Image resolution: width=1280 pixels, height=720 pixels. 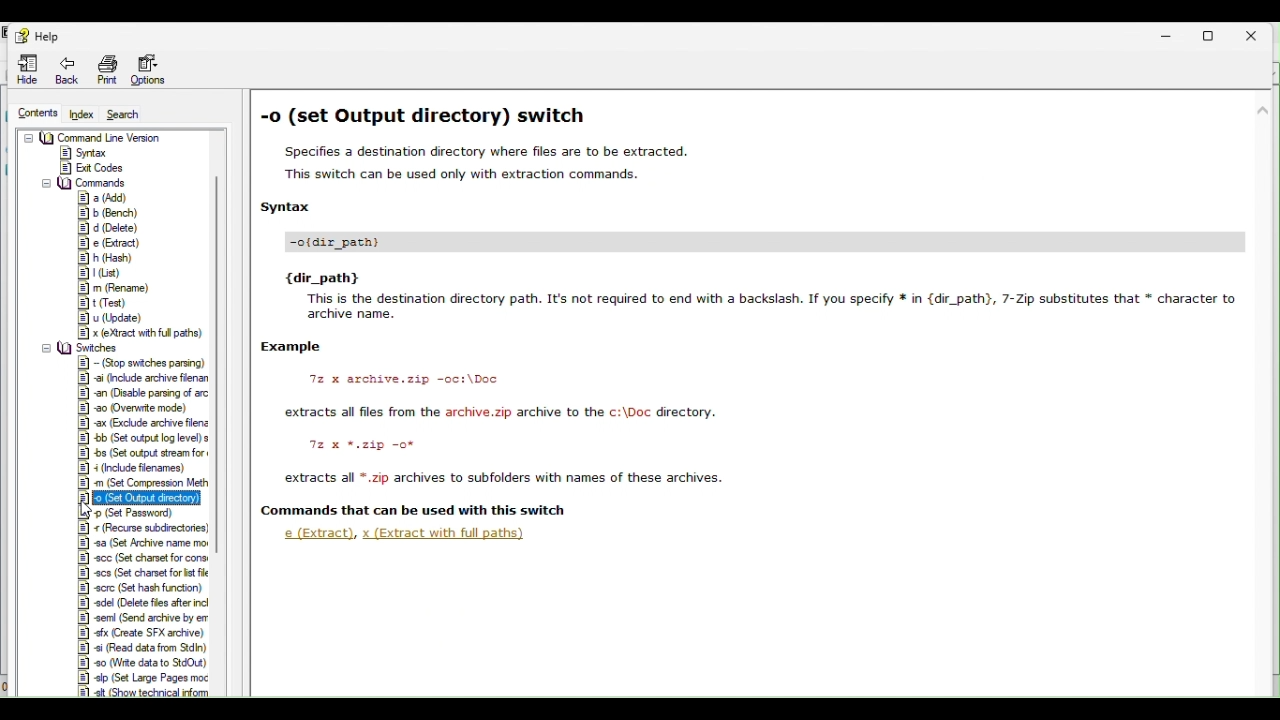 What do you see at coordinates (72, 167) in the screenshot?
I see `File manager ` at bounding box center [72, 167].